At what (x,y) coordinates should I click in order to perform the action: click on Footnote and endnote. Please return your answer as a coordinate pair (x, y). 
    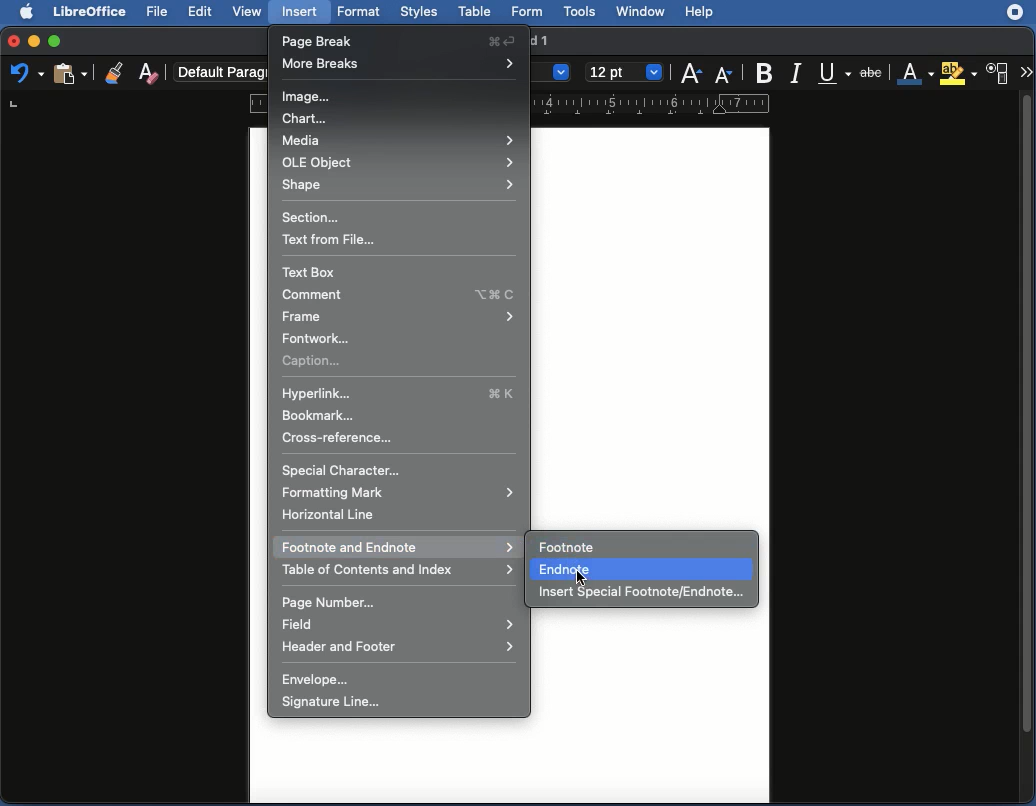
    Looking at the image, I should click on (398, 547).